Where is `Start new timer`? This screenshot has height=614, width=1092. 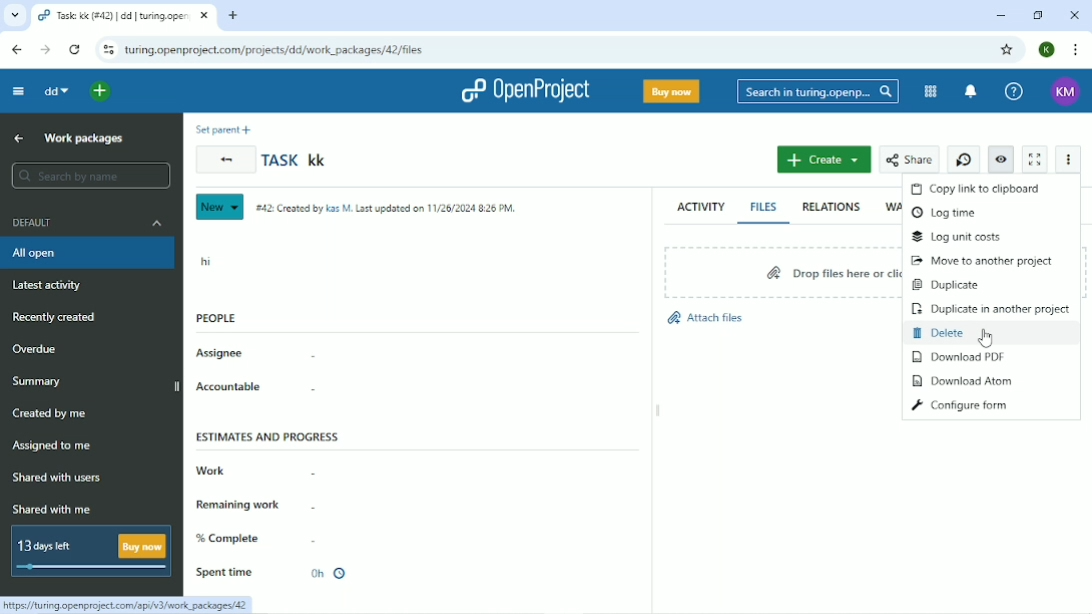
Start new timer is located at coordinates (965, 159).